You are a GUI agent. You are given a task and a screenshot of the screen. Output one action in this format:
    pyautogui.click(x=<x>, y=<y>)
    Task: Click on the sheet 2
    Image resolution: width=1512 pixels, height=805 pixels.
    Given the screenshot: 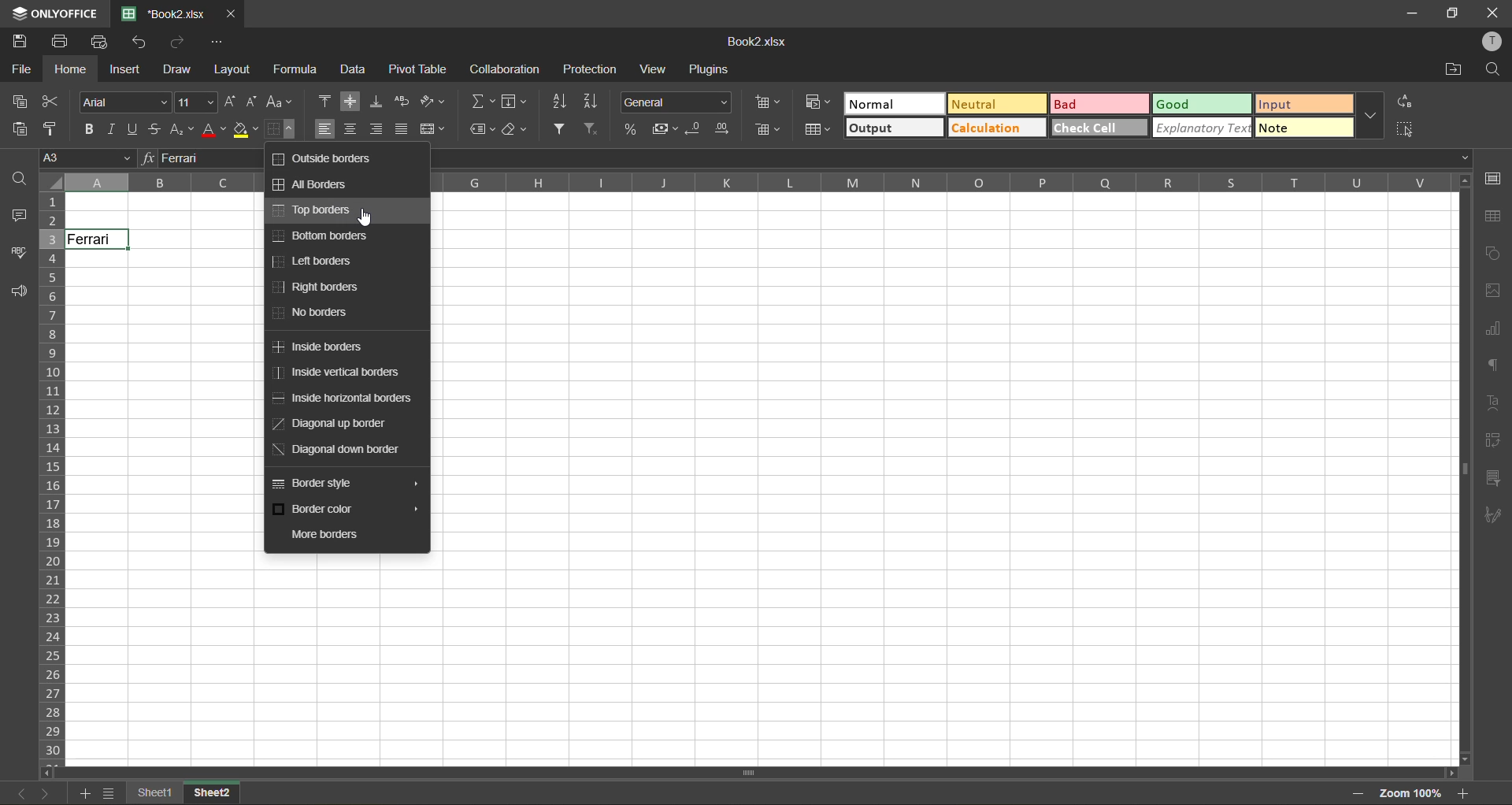 What is the action you would take?
    pyautogui.click(x=220, y=793)
    